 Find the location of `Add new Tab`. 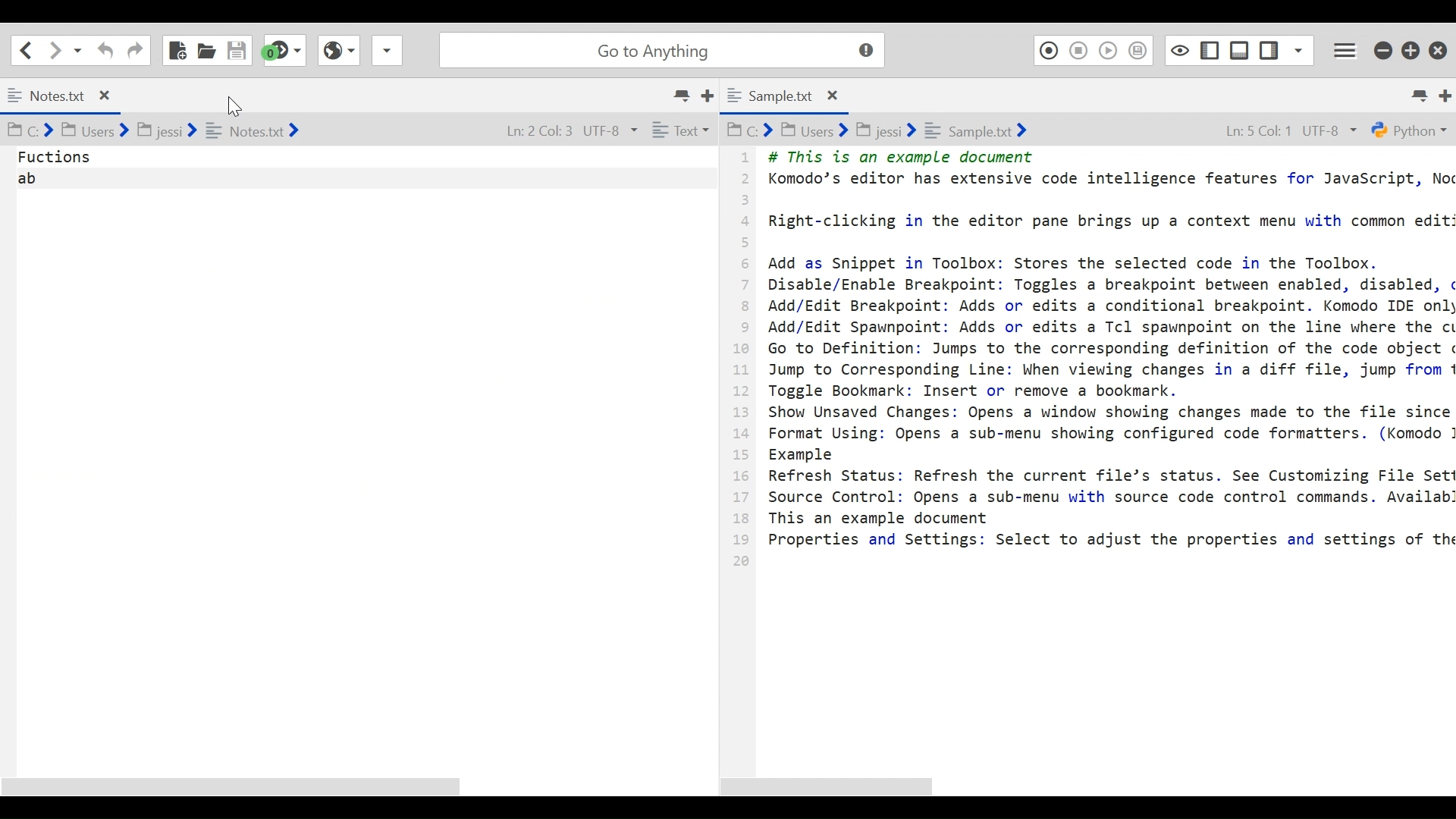

Add new Tab is located at coordinates (1447, 93).